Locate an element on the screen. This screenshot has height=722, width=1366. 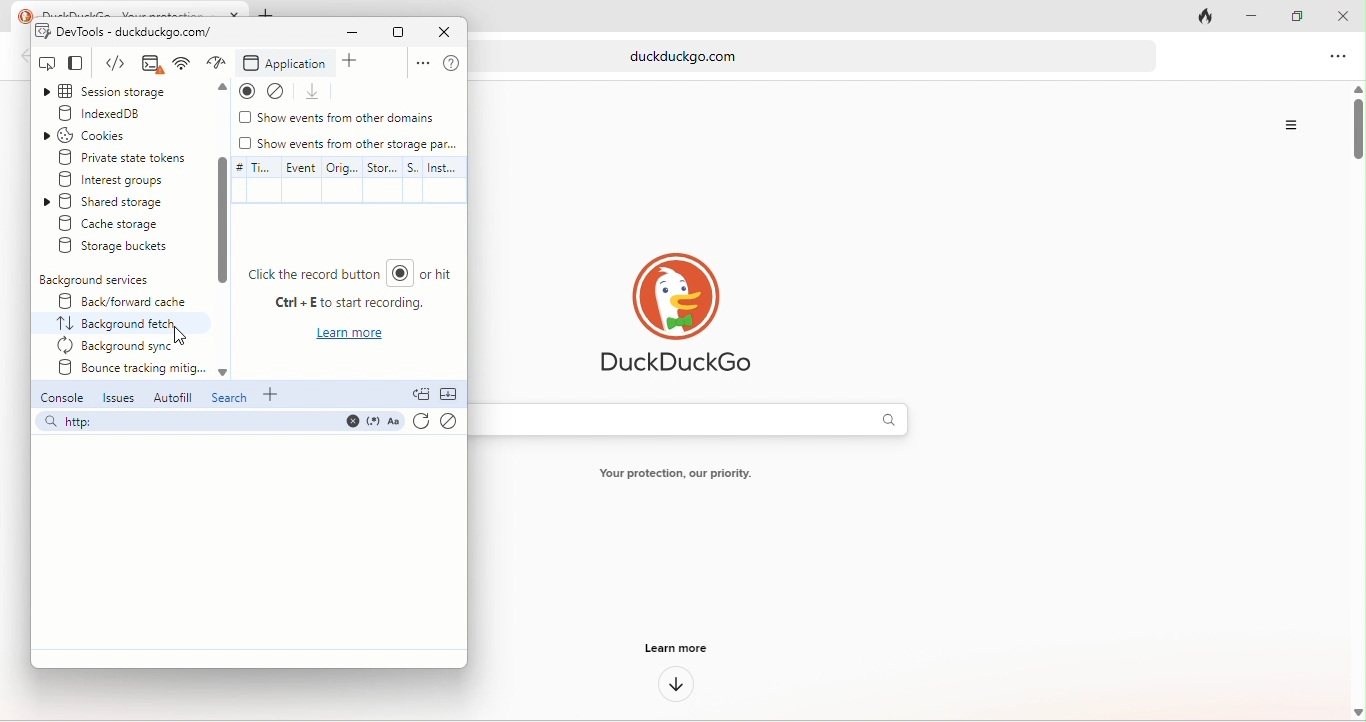
close is located at coordinates (1344, 17).